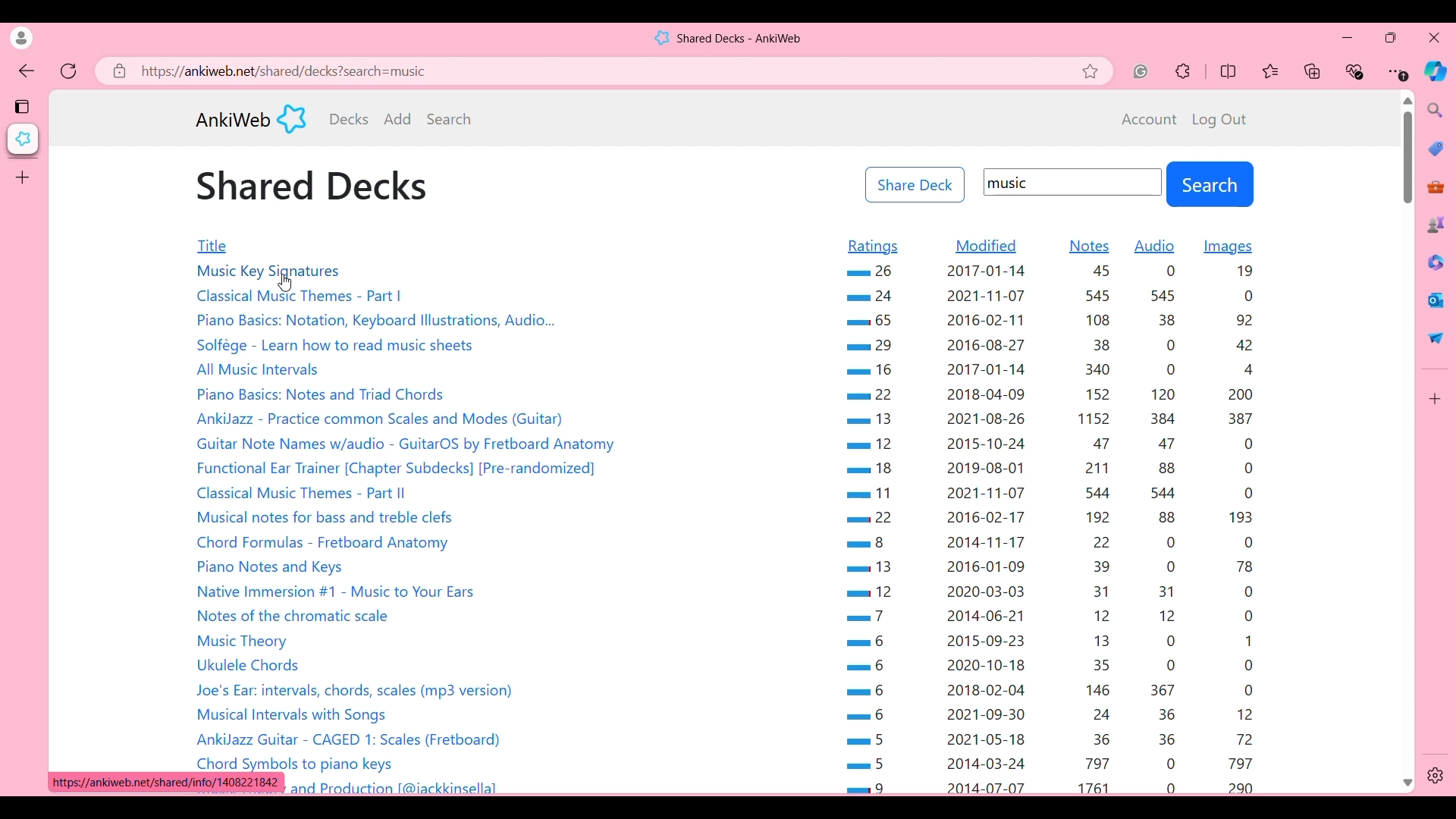 Image resolution: width=1456 pixels, height=819 pixels. Describe the element at coordinates (449, 118) in the screenshot. I see `Search` at that location.